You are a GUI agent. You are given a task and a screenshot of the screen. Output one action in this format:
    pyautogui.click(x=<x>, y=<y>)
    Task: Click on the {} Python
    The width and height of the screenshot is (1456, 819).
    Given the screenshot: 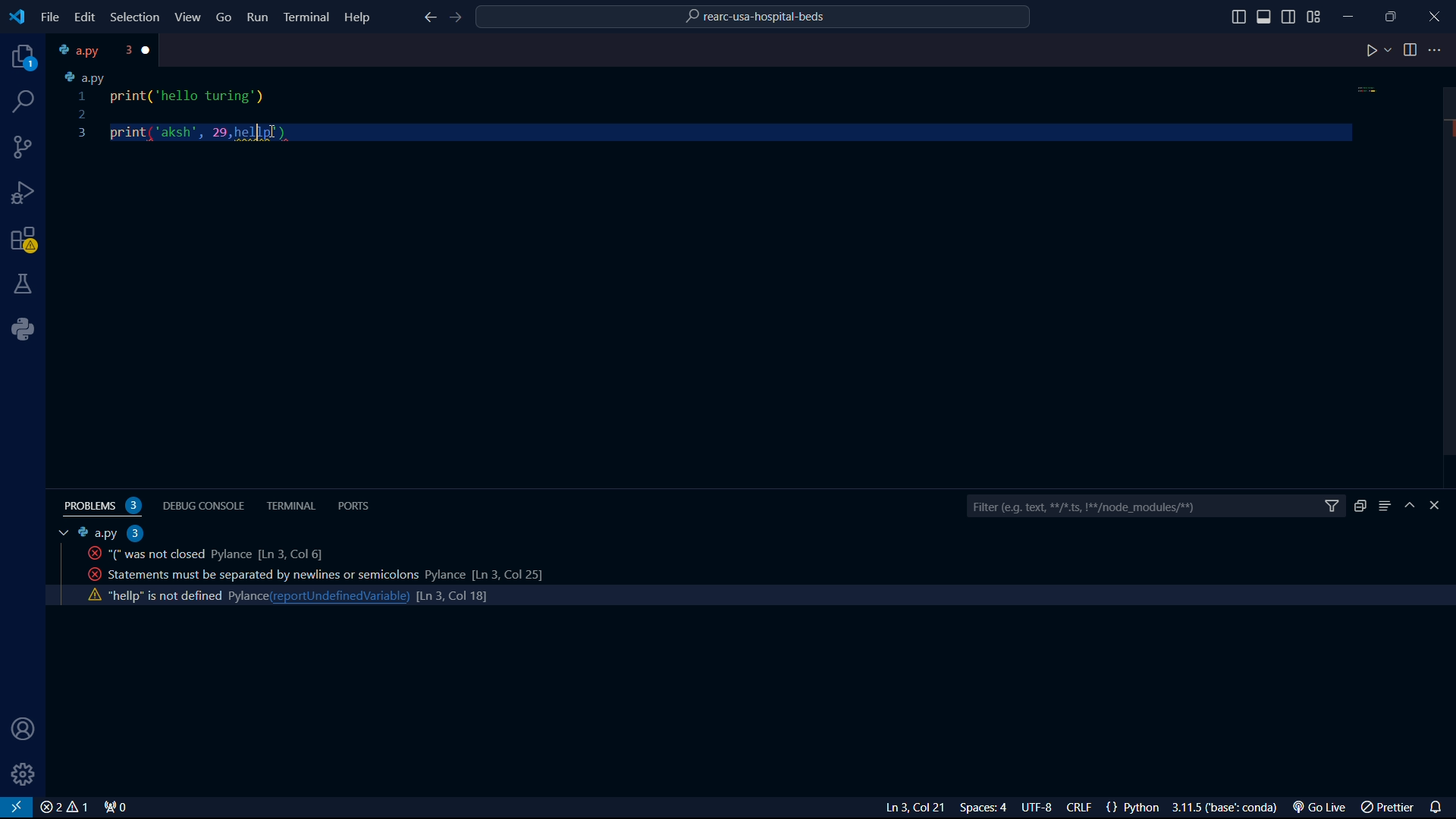 What is the action you would take?
    pyautogui.click(x=1135, y=808)
    